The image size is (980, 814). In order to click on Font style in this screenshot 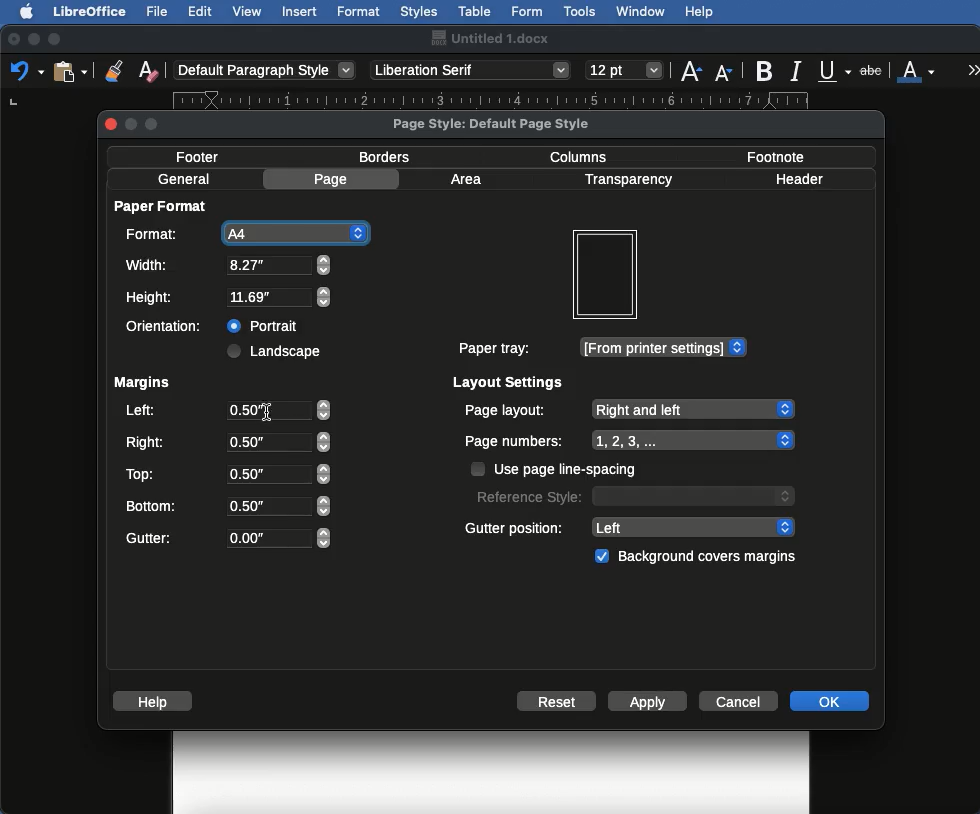, I will do `click(472, 70)`.